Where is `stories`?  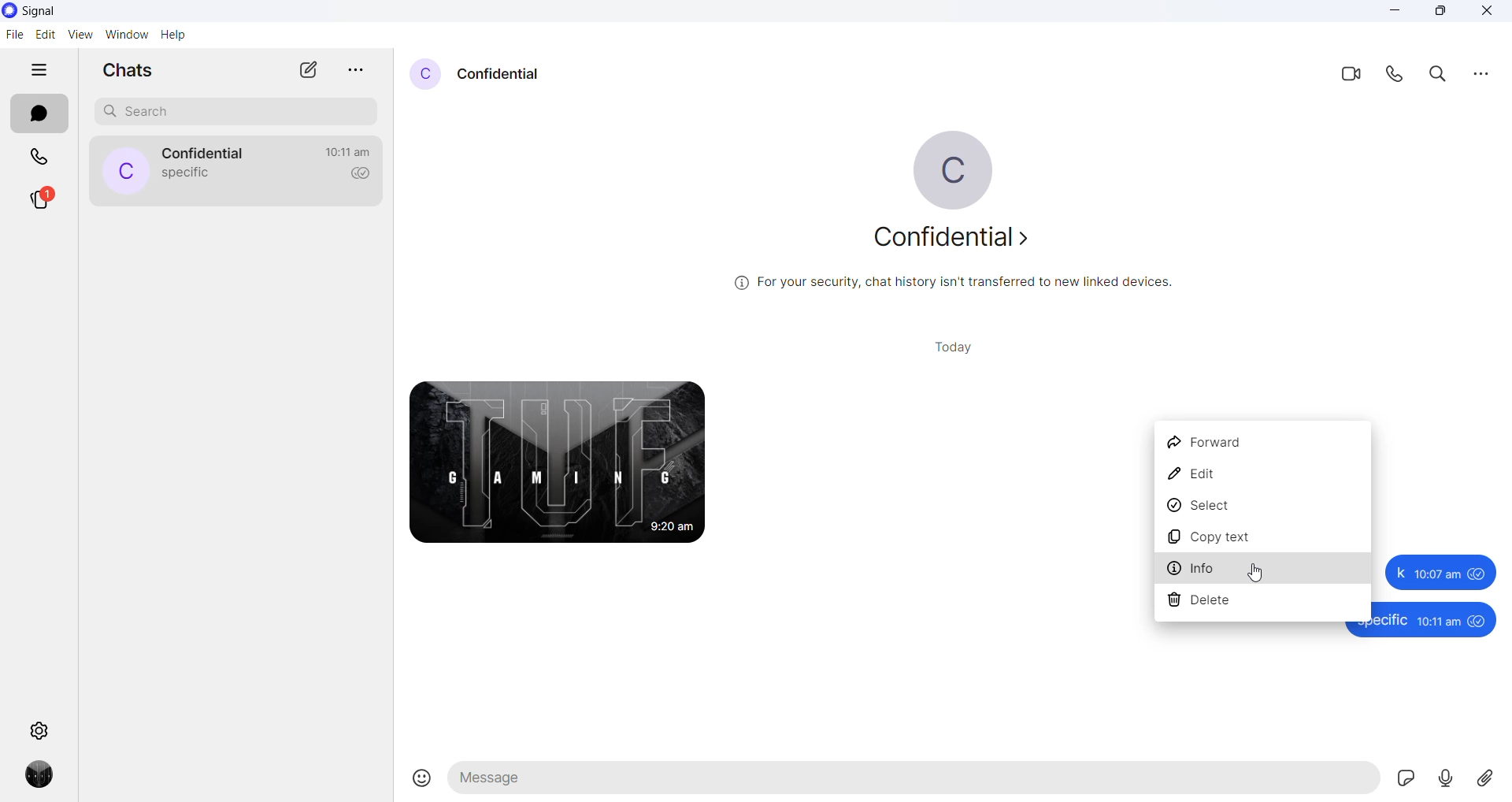 stories is located at coordinates (43, 202).